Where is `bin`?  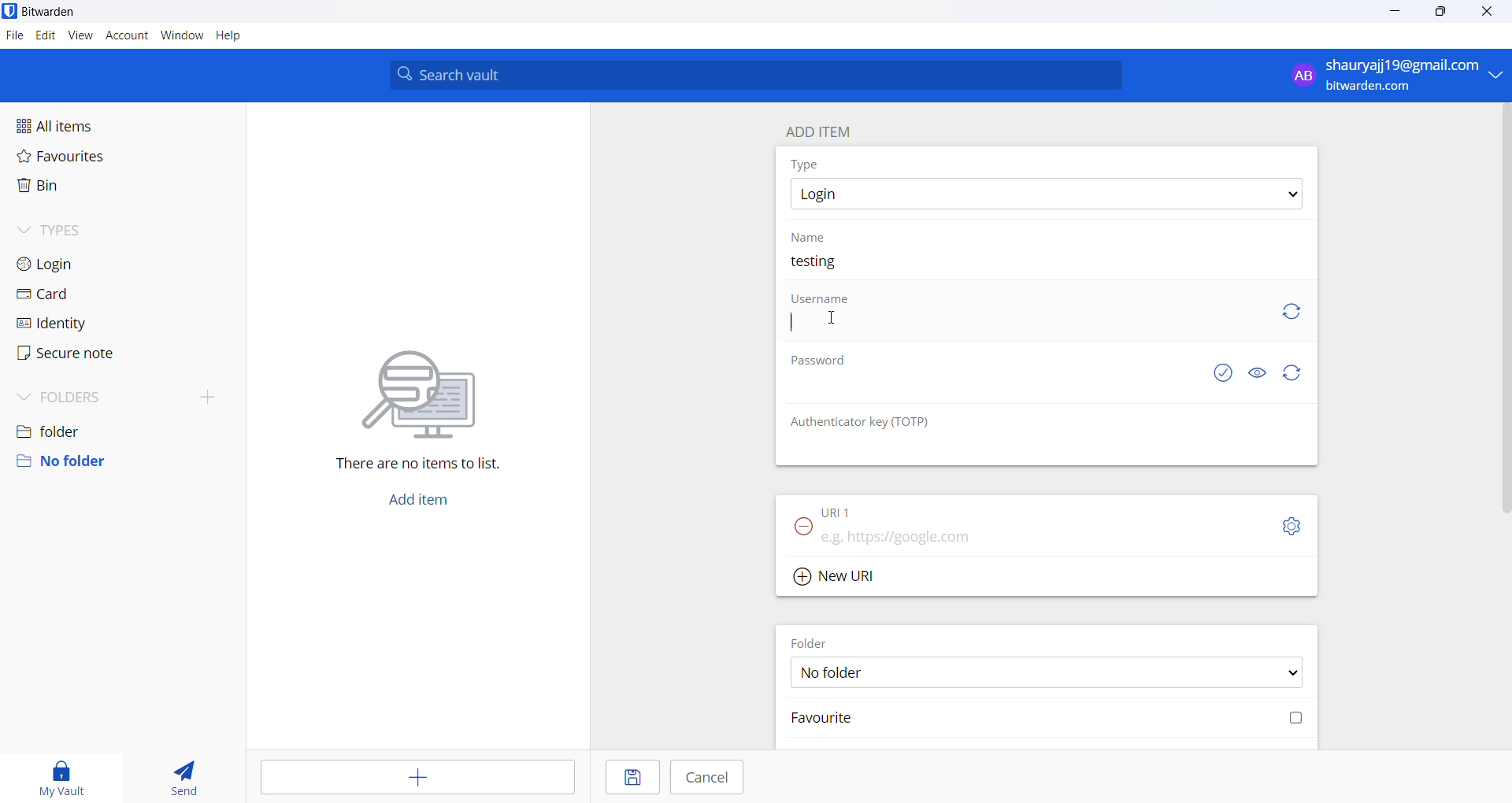 bin is located at coordinates (82, 191).